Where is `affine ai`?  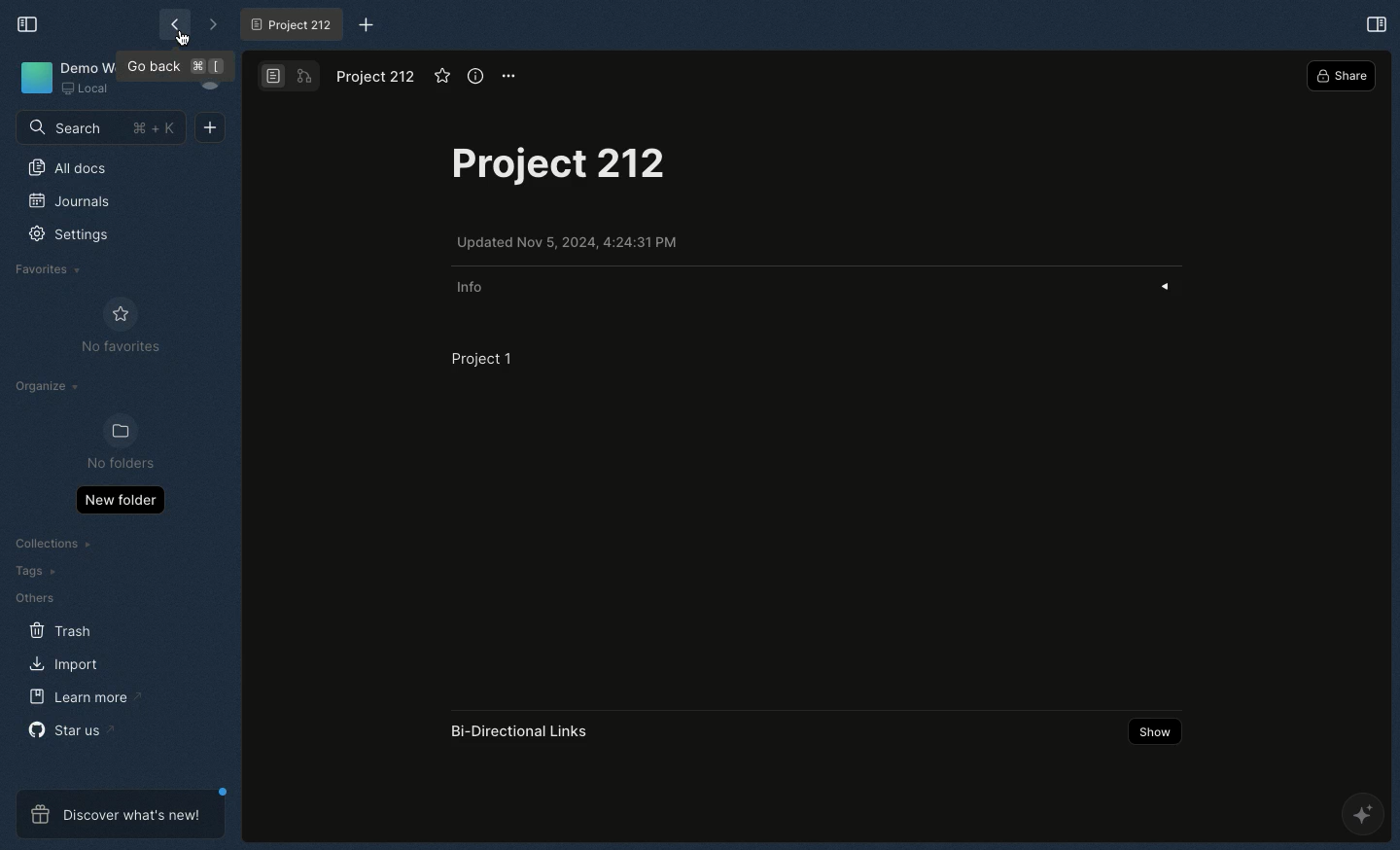 affine ai is located at coordinates (1364, 817).